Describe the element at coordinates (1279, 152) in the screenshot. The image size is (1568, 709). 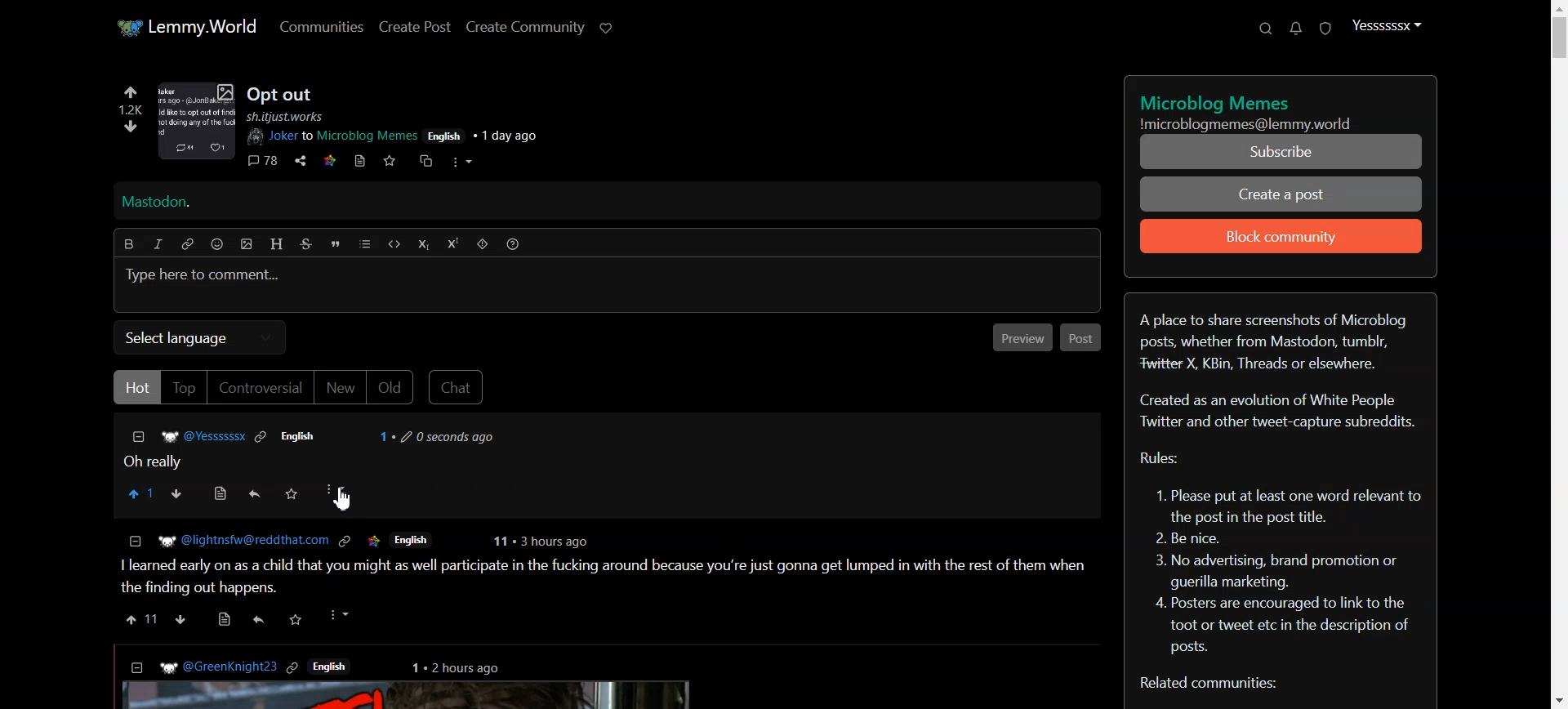
I see `Subscribe` at that location.